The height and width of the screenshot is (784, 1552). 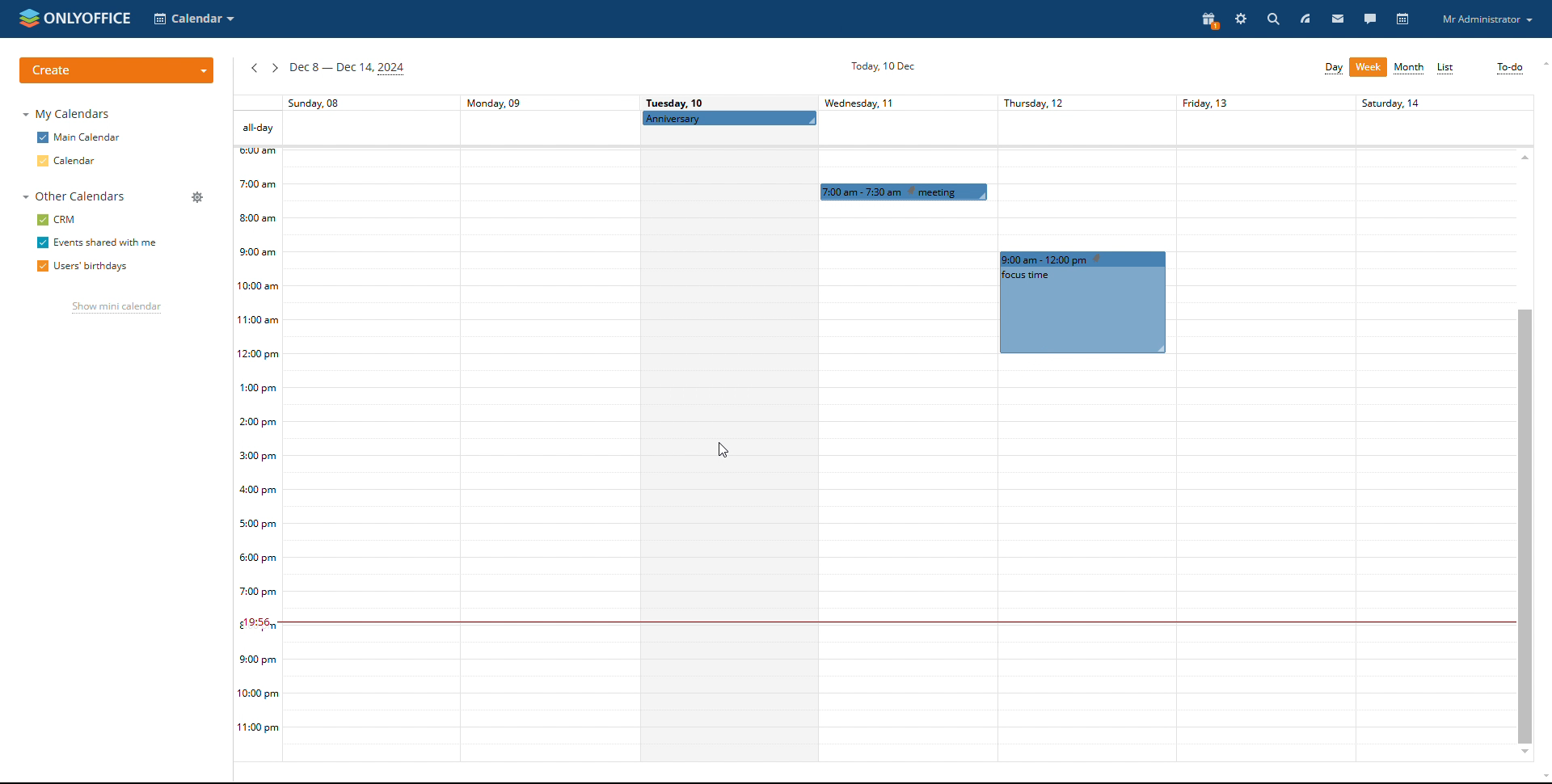 What do you see at coordinates (42, 137) in the screenshot?
I see `checkbox` at bounding box center [42, 137].